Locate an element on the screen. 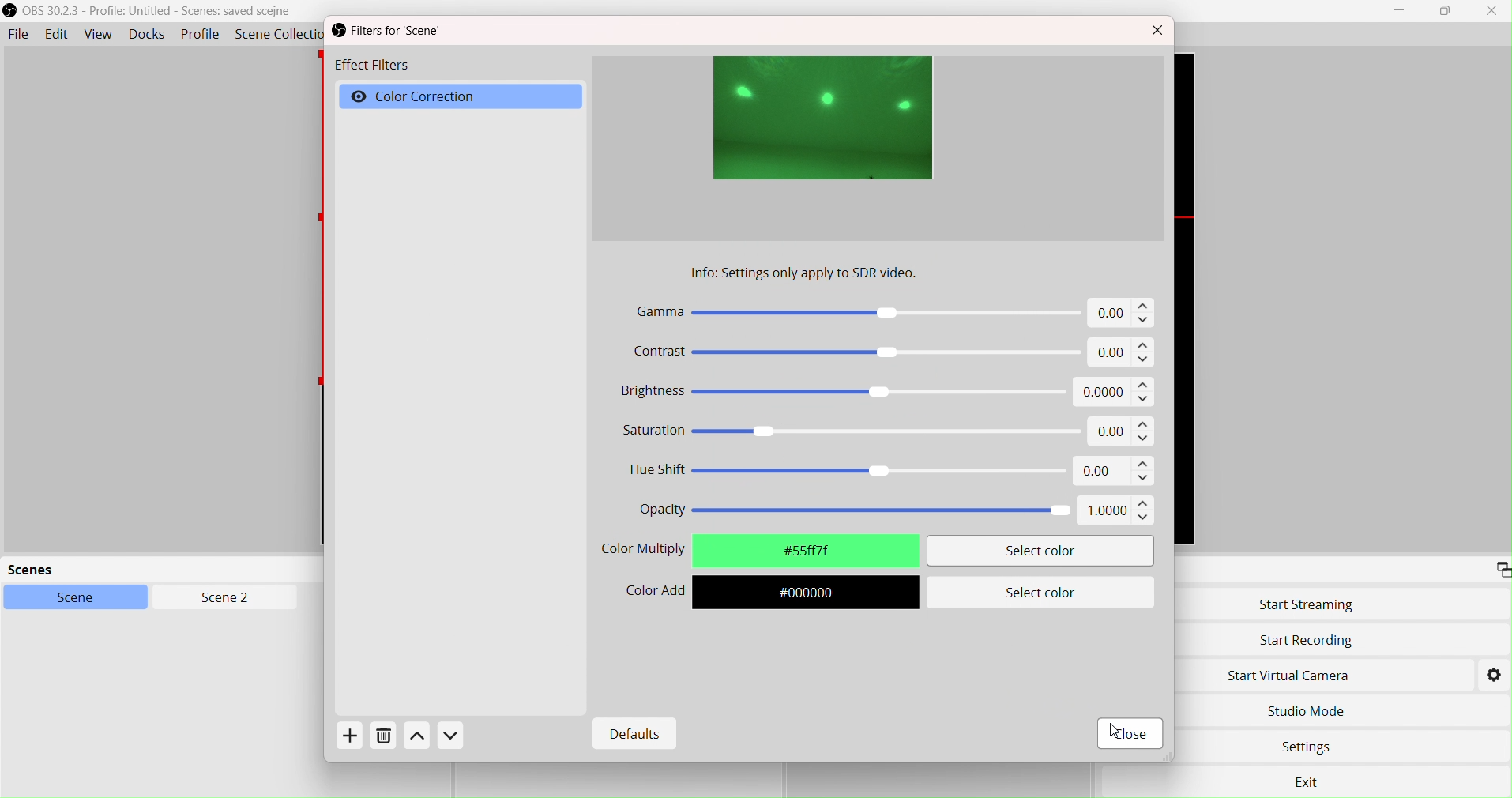  Minimize is located at coordinates (1400, 10).